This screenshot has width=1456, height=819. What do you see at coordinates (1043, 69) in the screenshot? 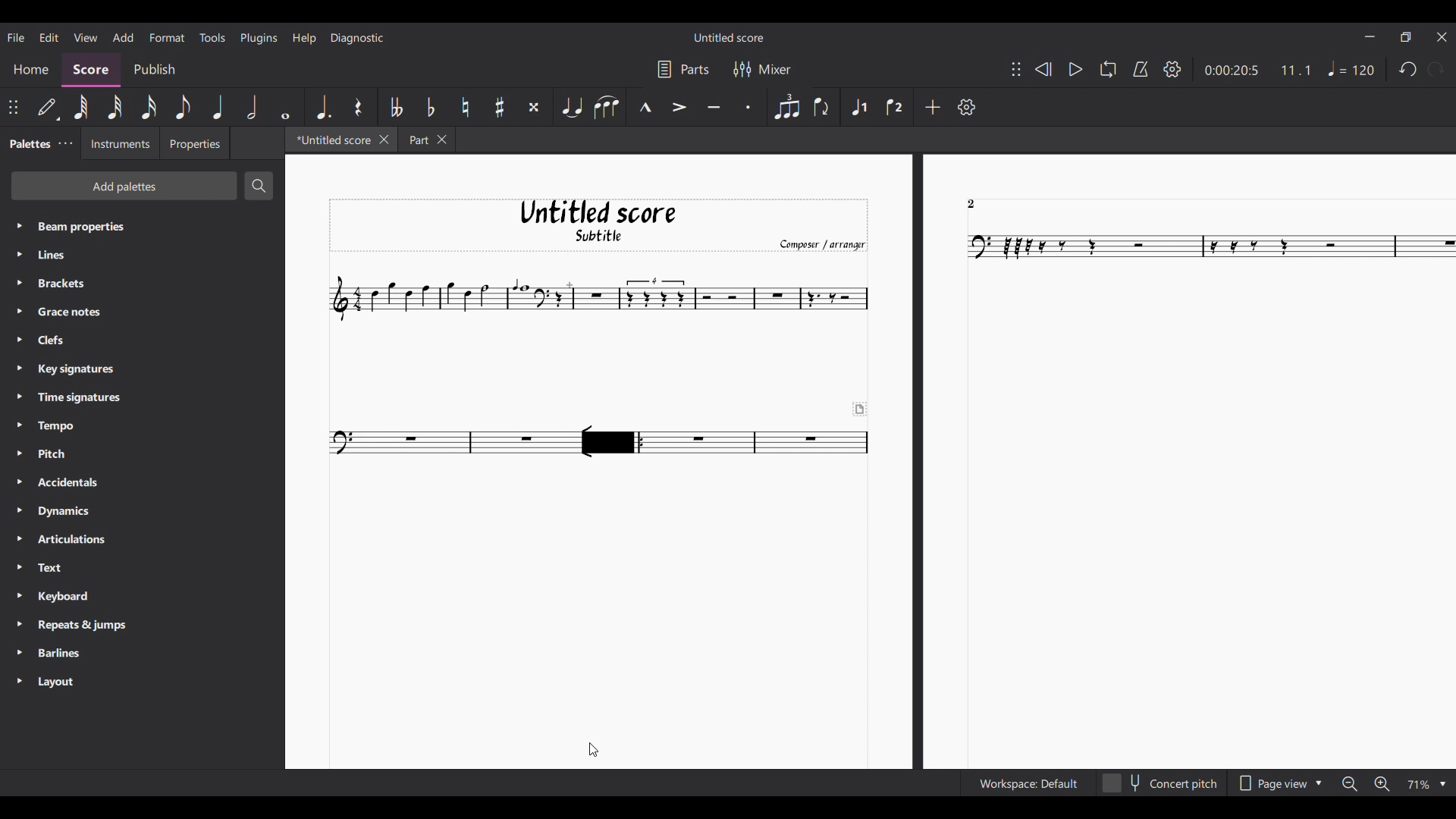
I see `Rewind` at bounding box center [1043, 69].